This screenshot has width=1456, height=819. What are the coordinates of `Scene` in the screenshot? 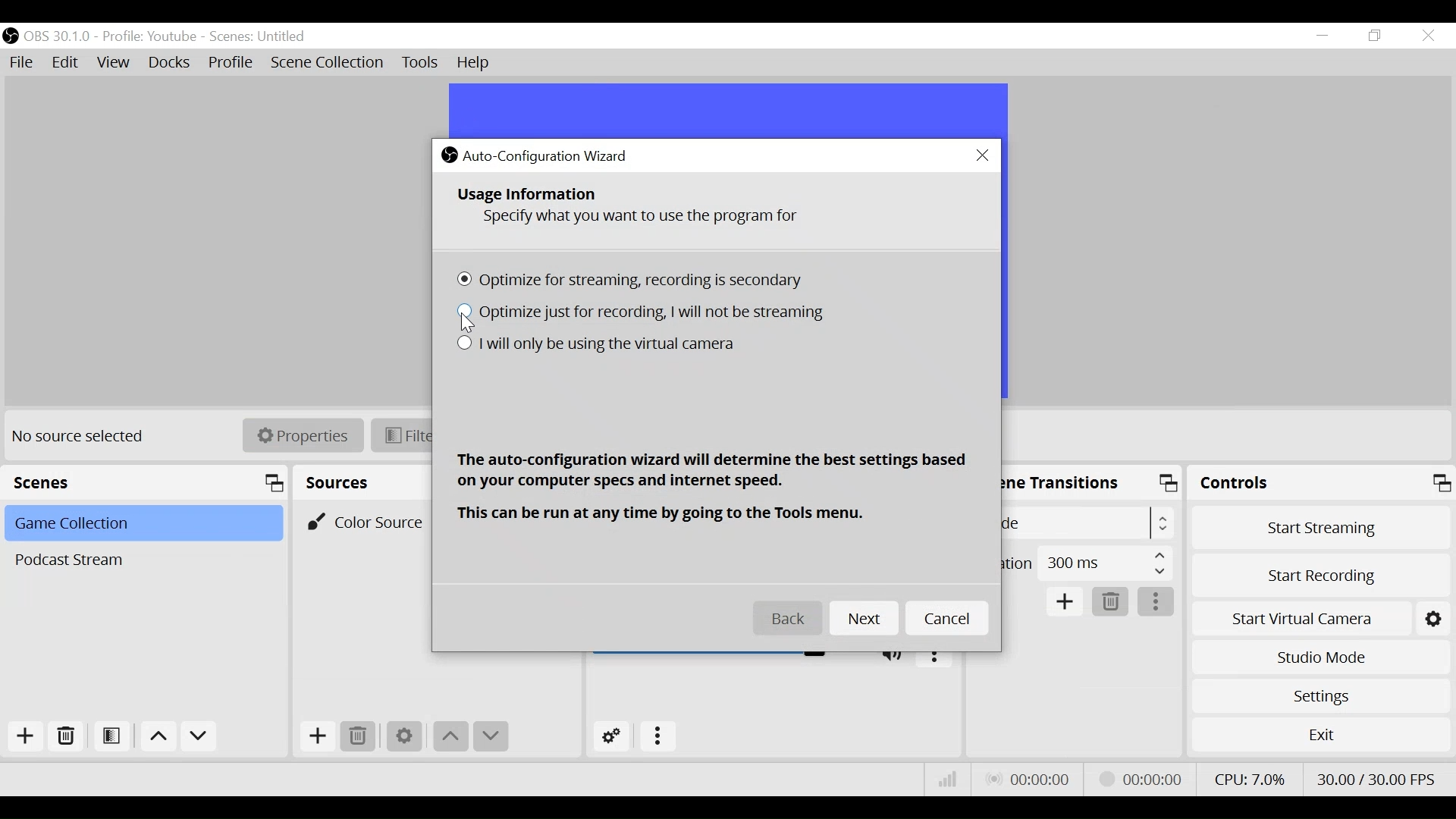 It's located at (141, 525).